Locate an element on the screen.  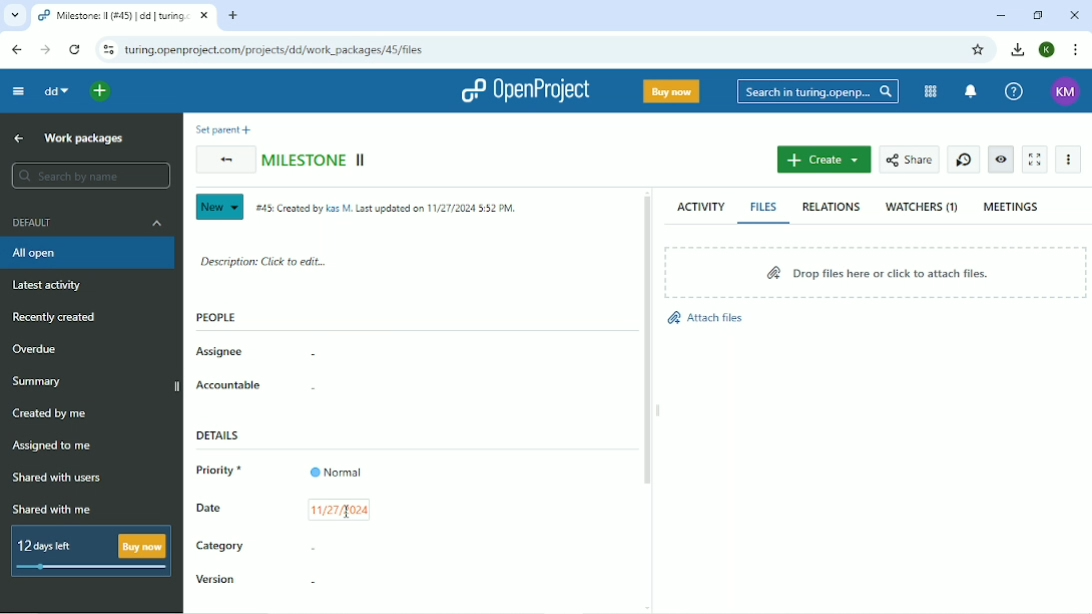
Minimize is located at coordinates (1001, 15).